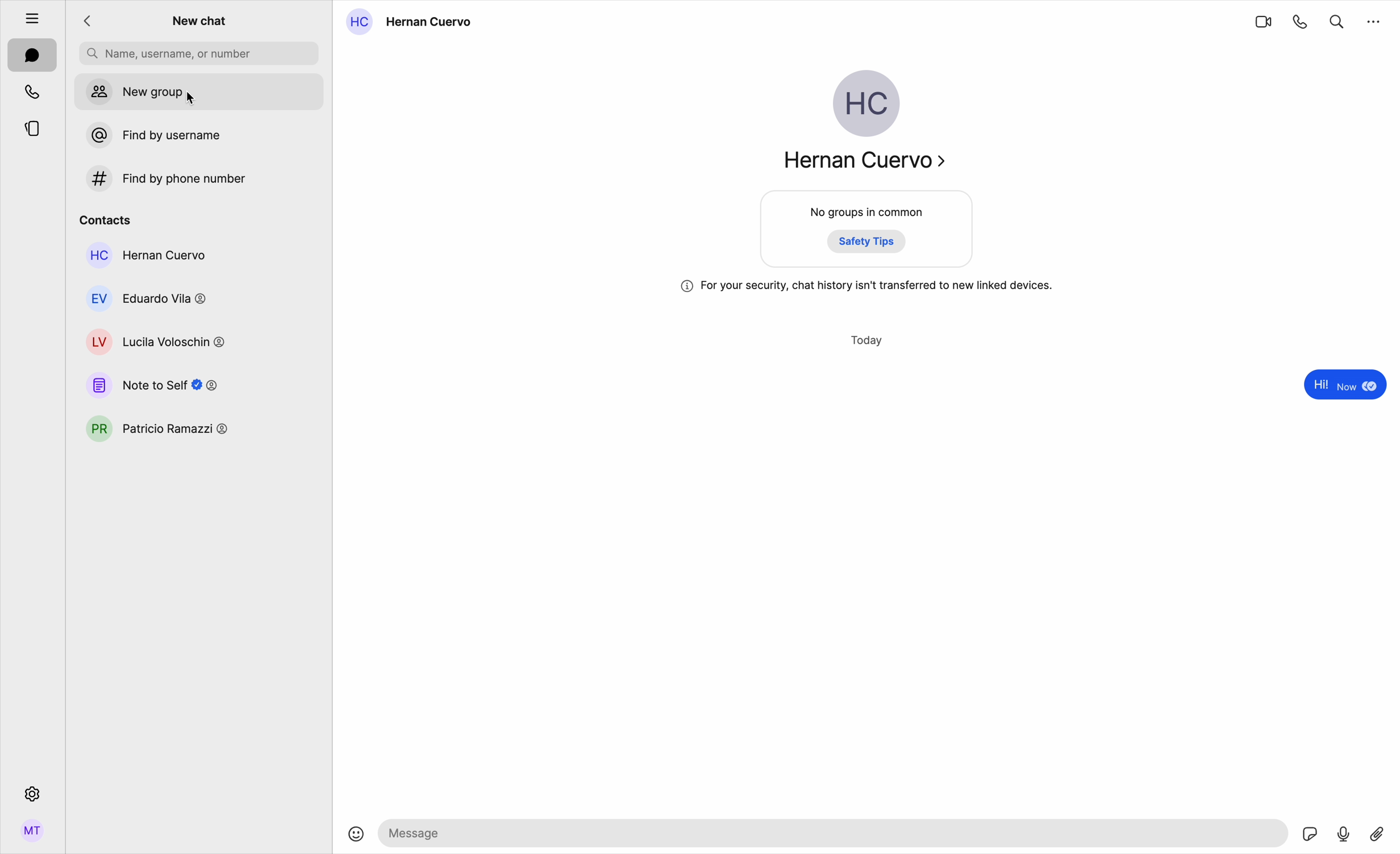  Describe the element at coordinates (1379, 832) in the screenshot. I see `attach file` at that location.